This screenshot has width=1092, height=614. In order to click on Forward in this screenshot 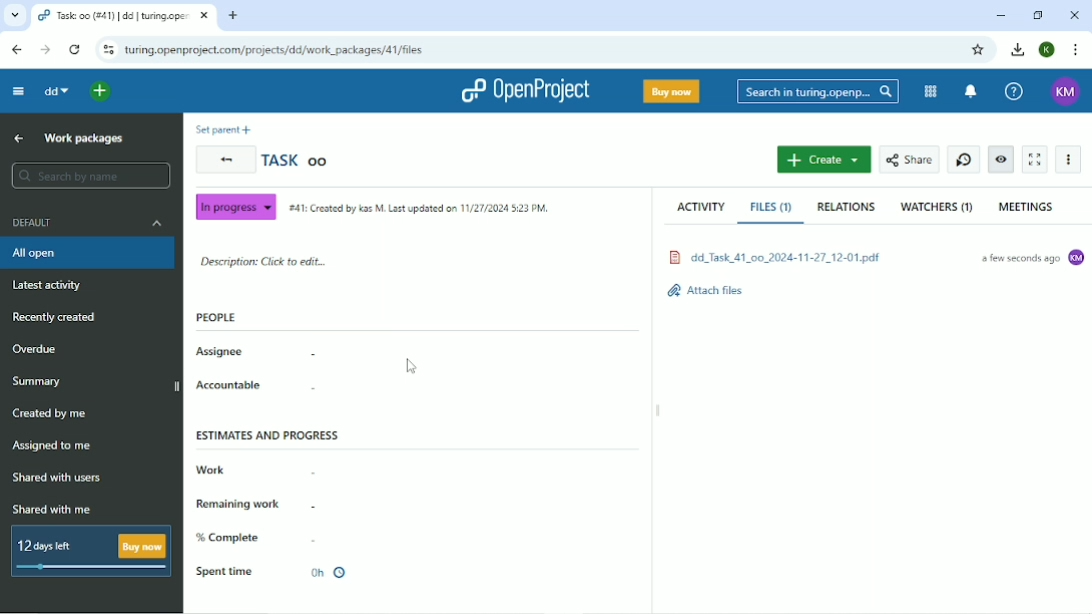, I will do `click(46, 49)`.